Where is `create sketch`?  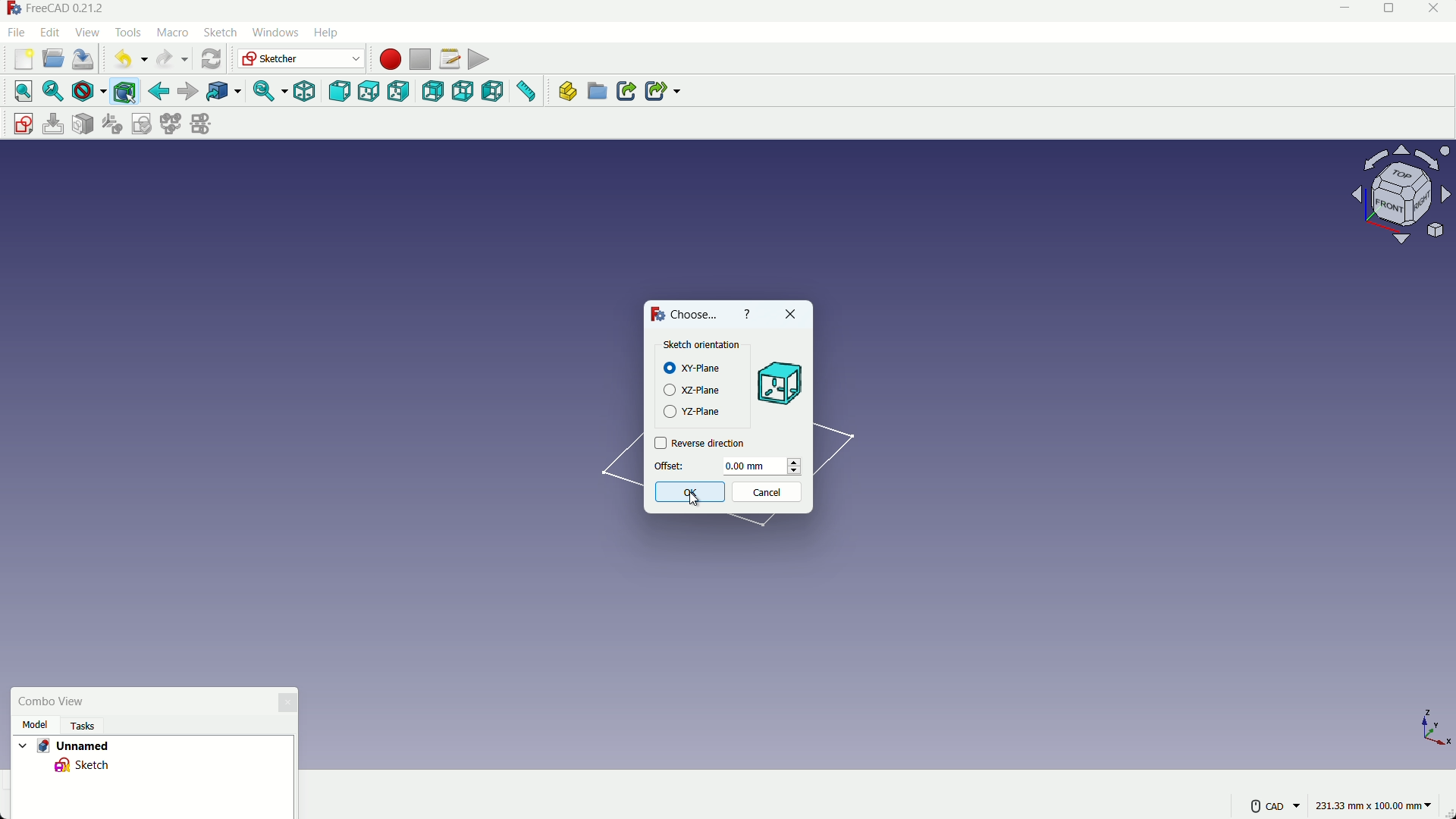 create sketch is located at coordinates (25, 125).